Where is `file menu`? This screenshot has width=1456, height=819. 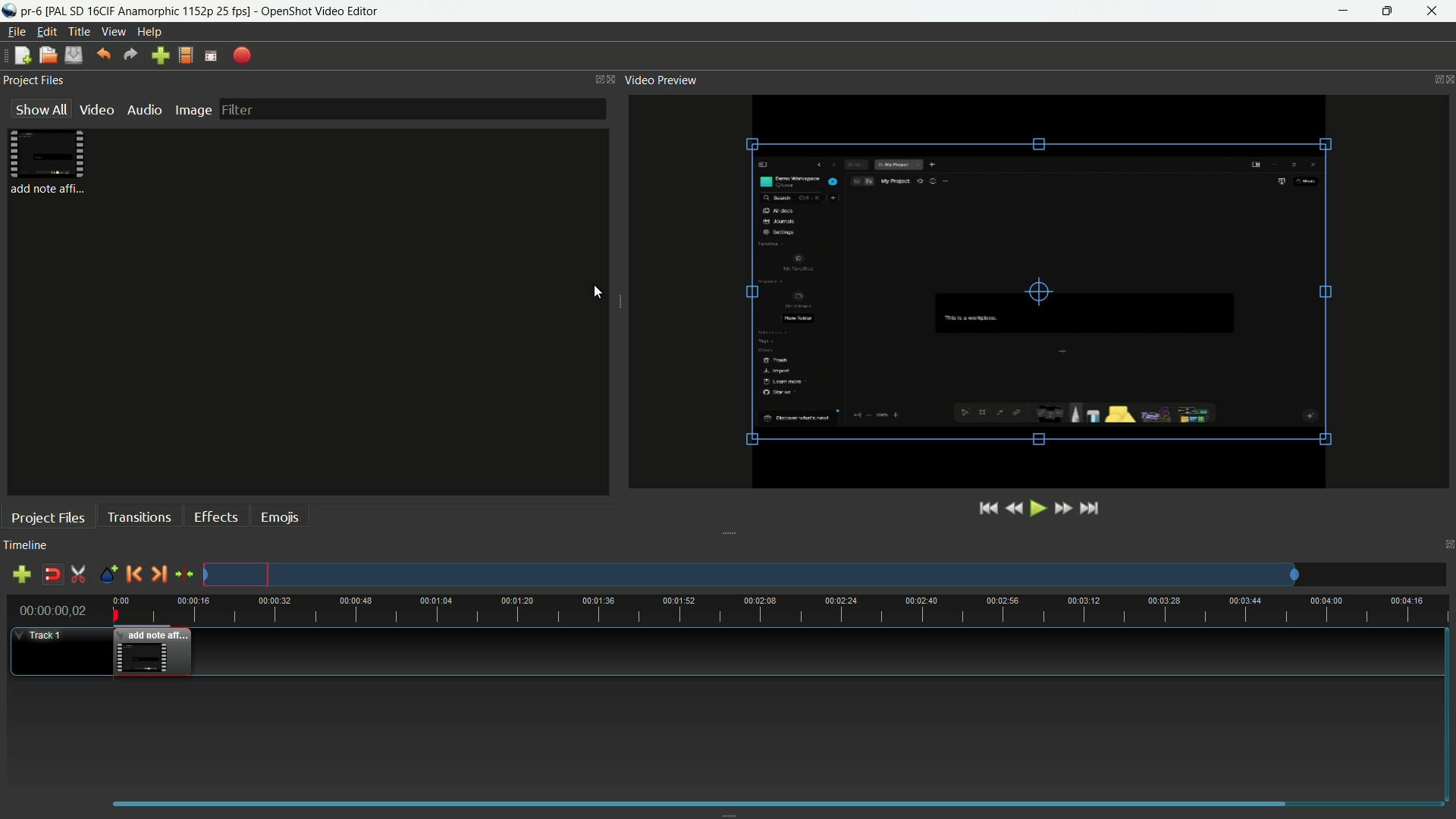 file menu is located at coordinates (17, 33).